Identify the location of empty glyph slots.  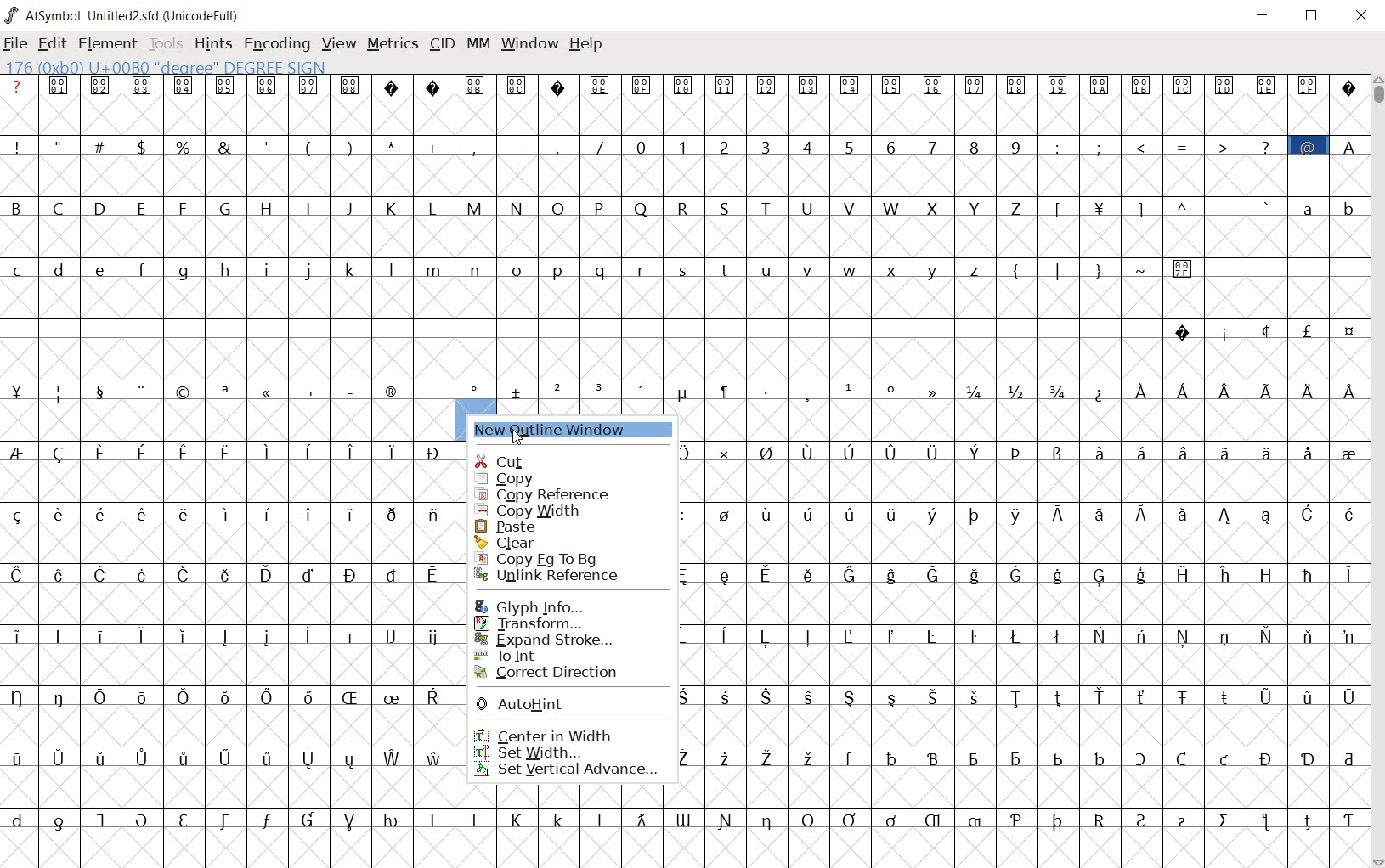
(1018, 786).